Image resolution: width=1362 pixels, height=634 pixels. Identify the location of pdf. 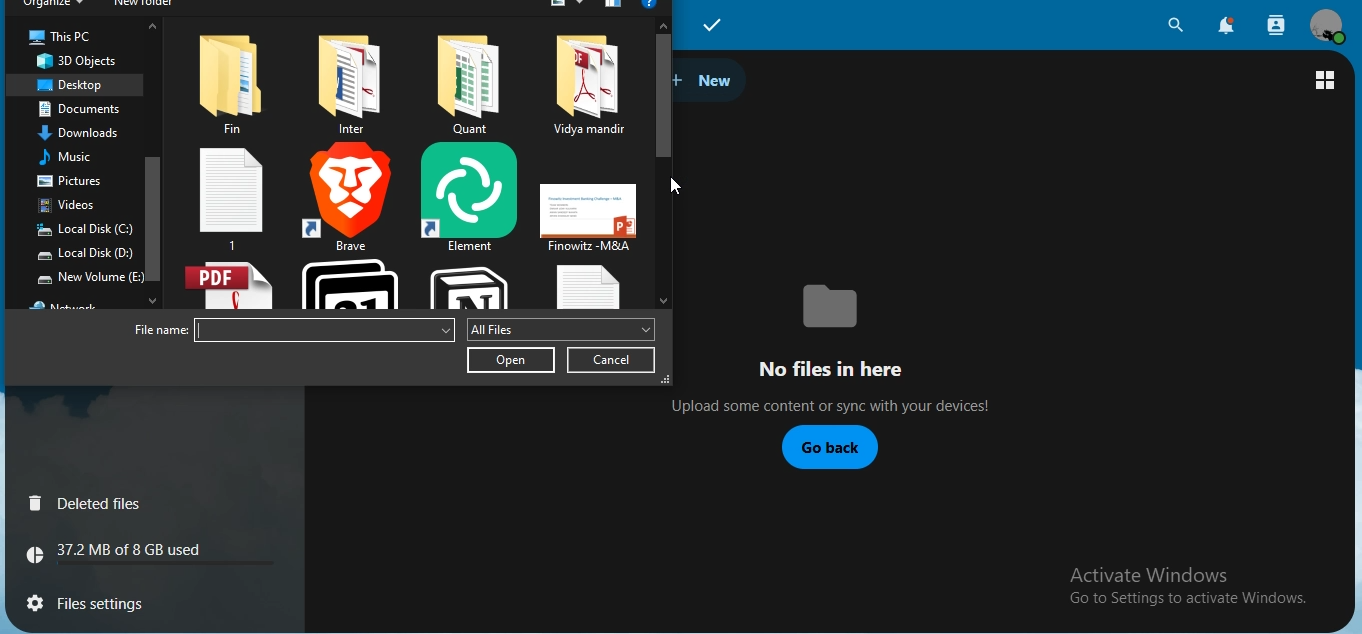
(227, 286).